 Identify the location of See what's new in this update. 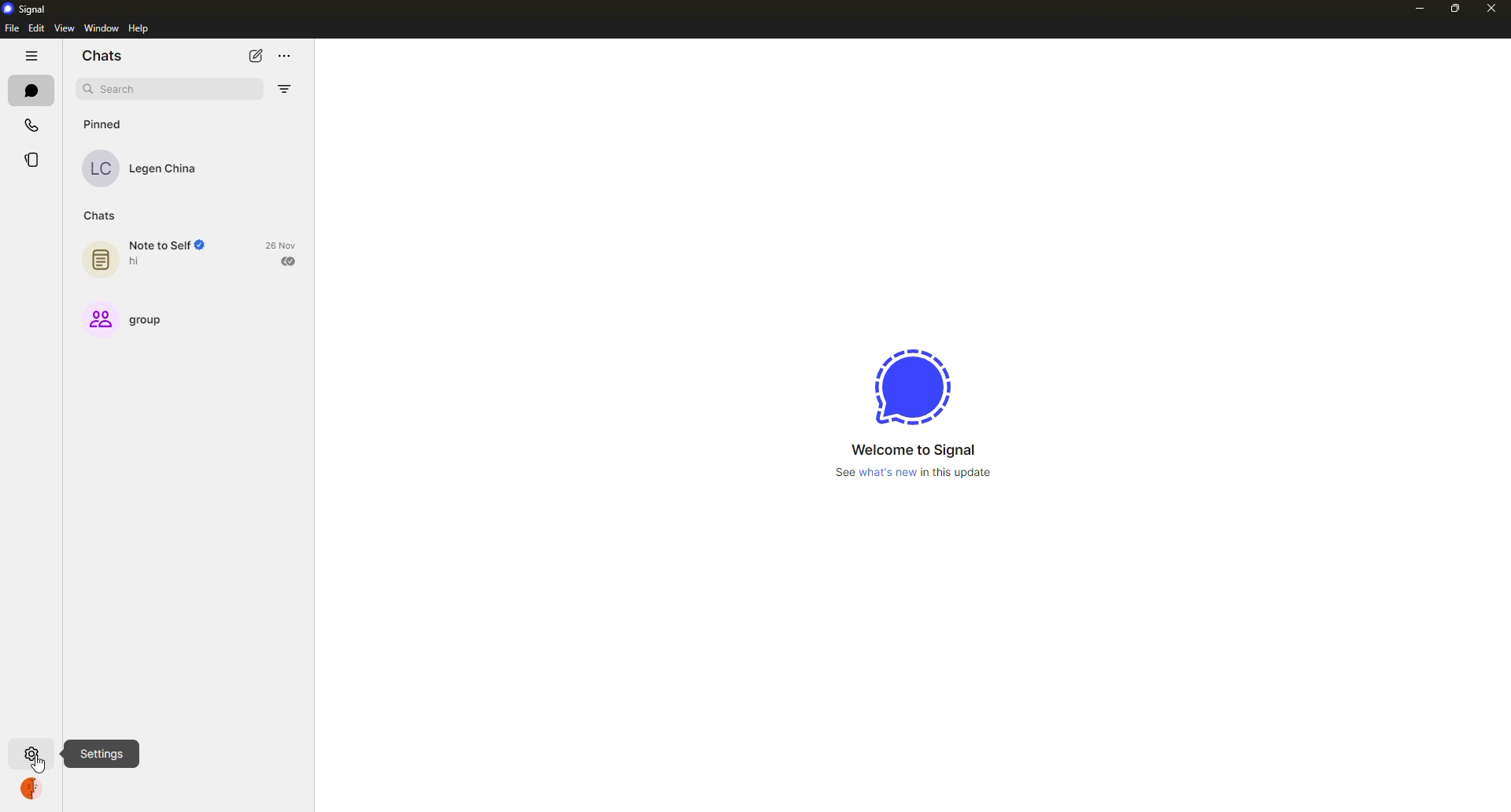
(912, 475).